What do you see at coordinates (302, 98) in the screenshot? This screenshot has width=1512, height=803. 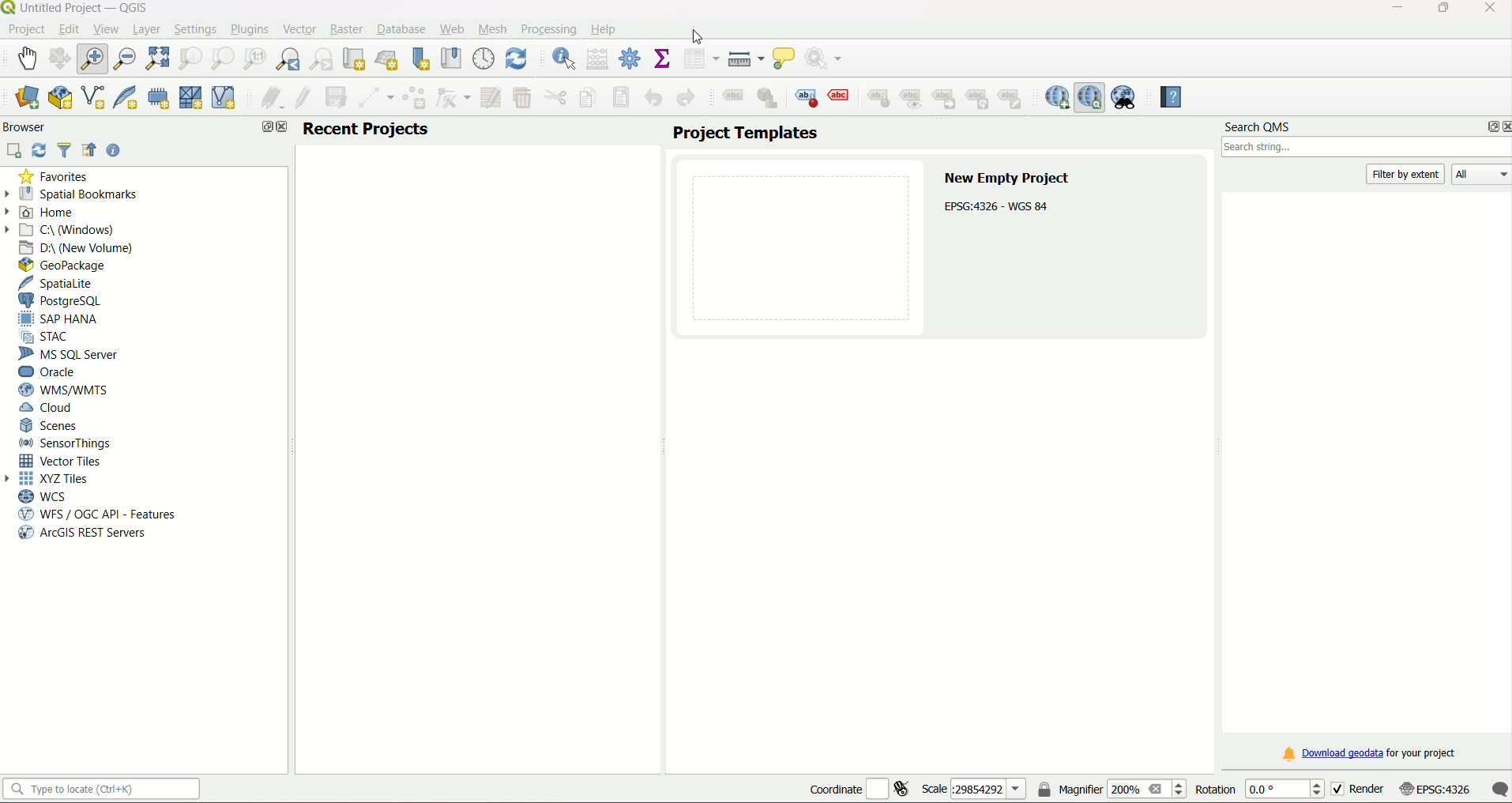 I see `toggle edit` at bounding box center [302, 98].